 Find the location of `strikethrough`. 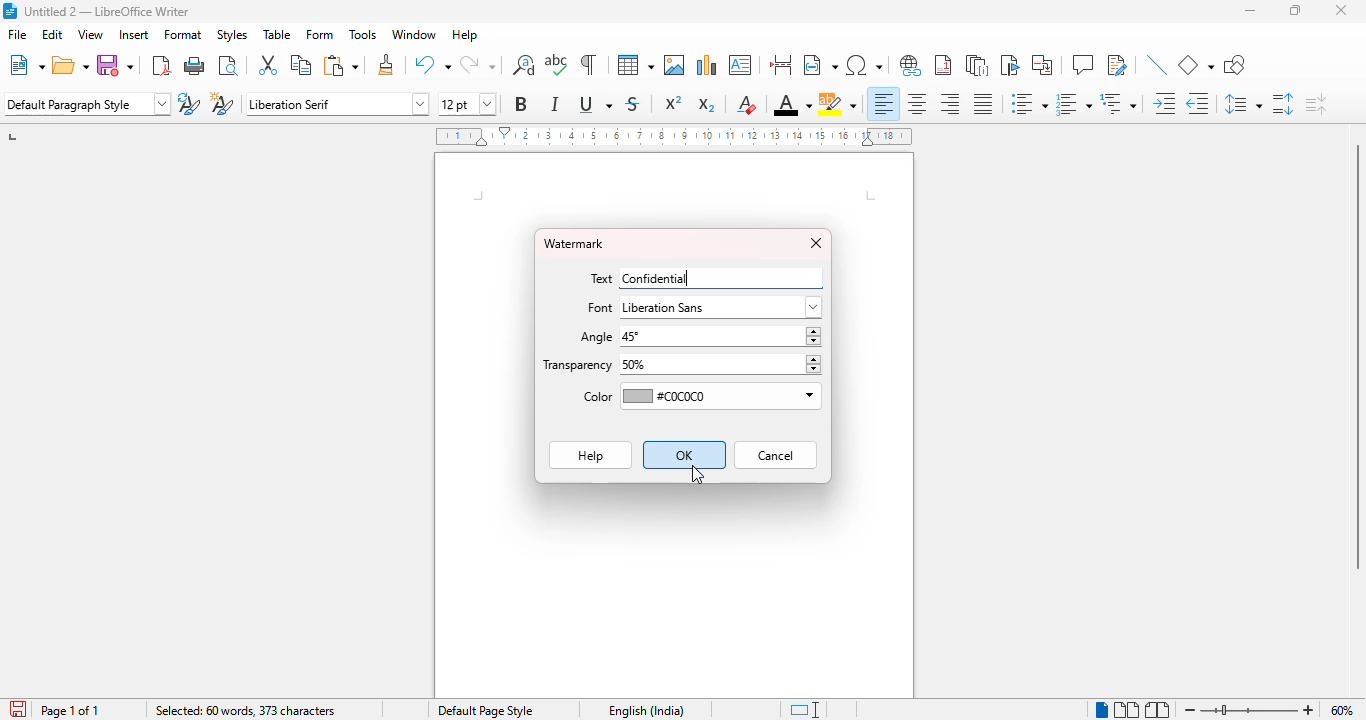

strikethrough is located at coordinates (632, 104).